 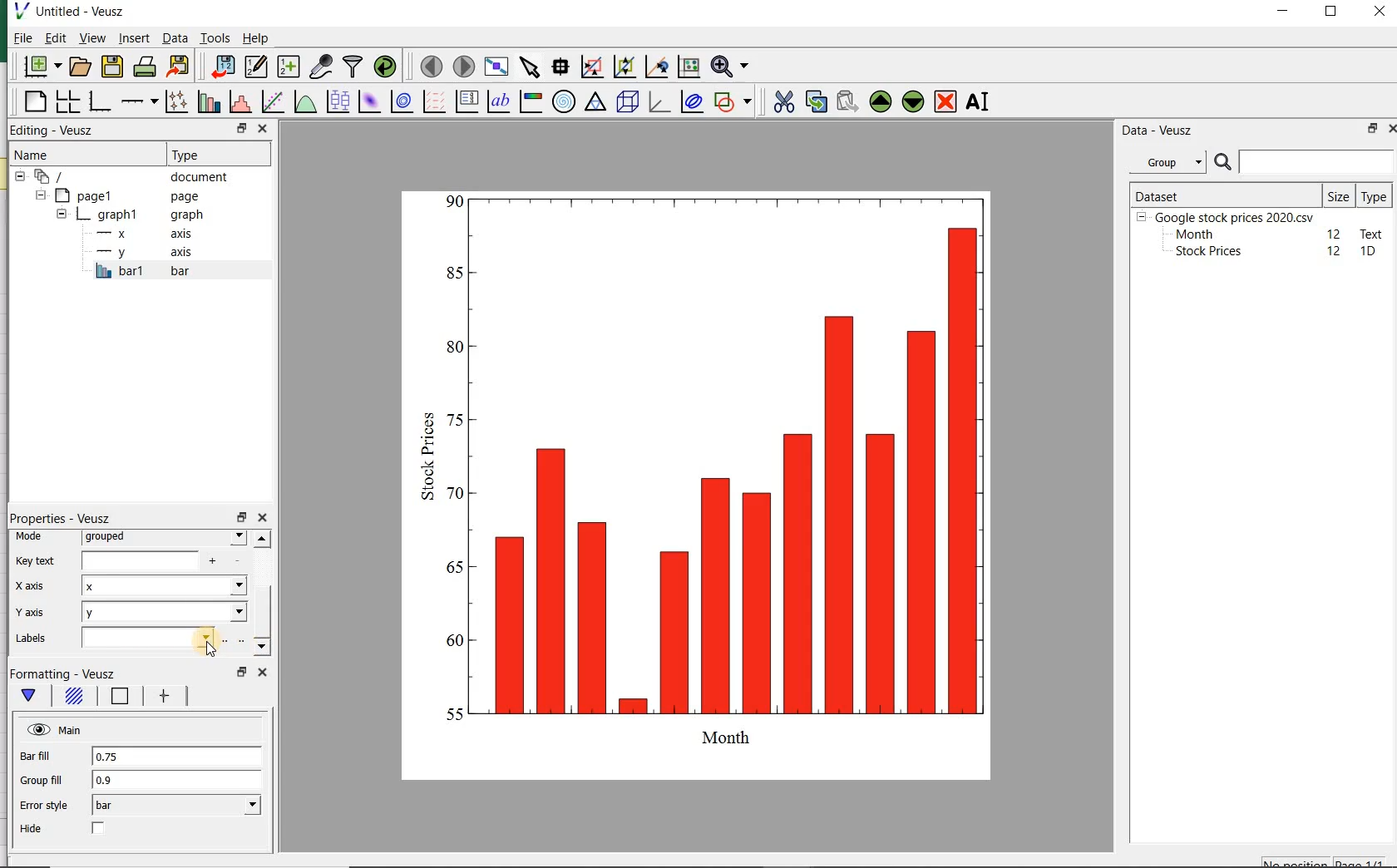 What do you see at coordinates (145, 68) in the screenshot?
I see `print the document` at bounding box center [145, 68].